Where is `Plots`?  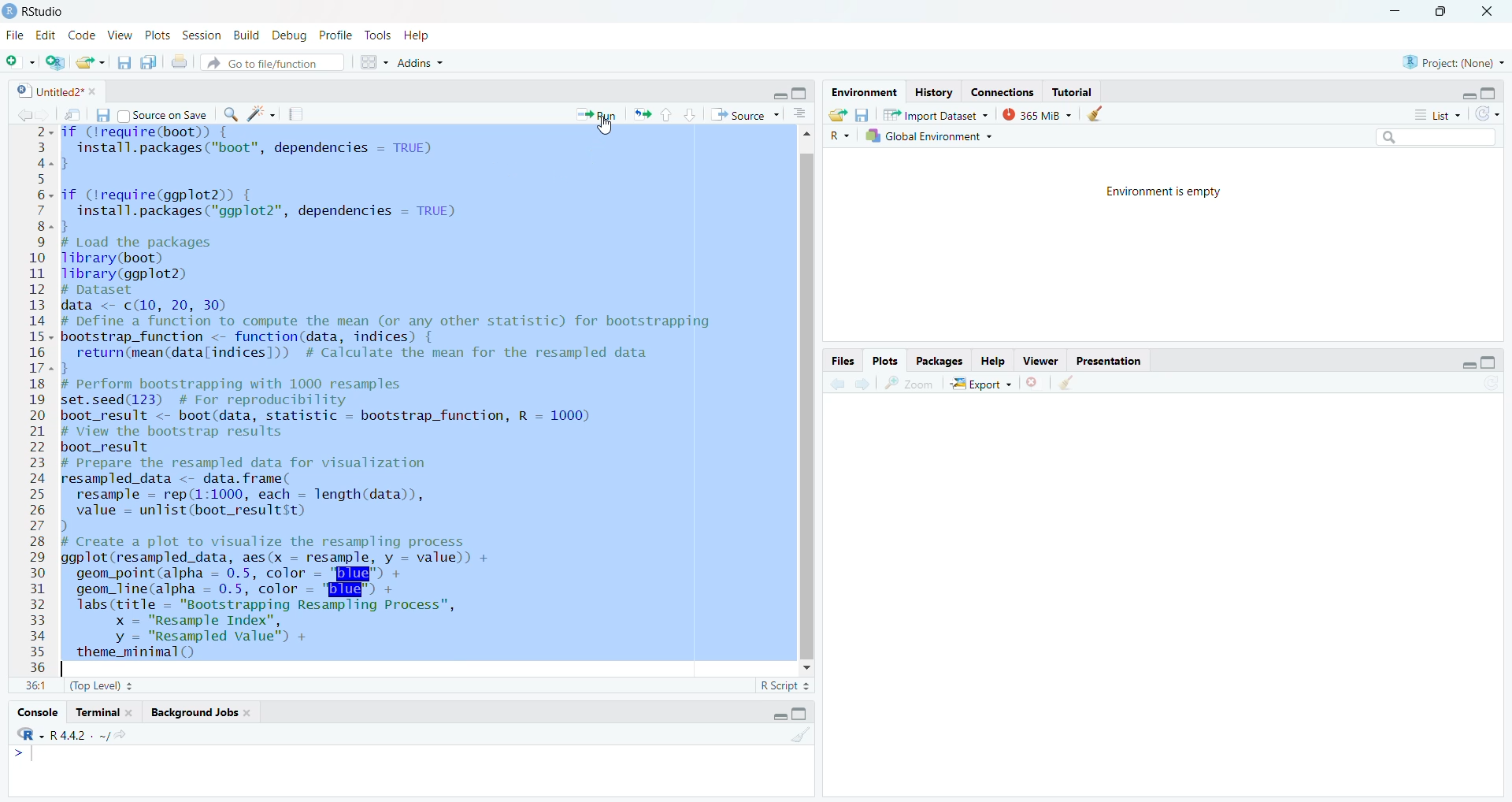 Plots is located at coordinates (157, 35).